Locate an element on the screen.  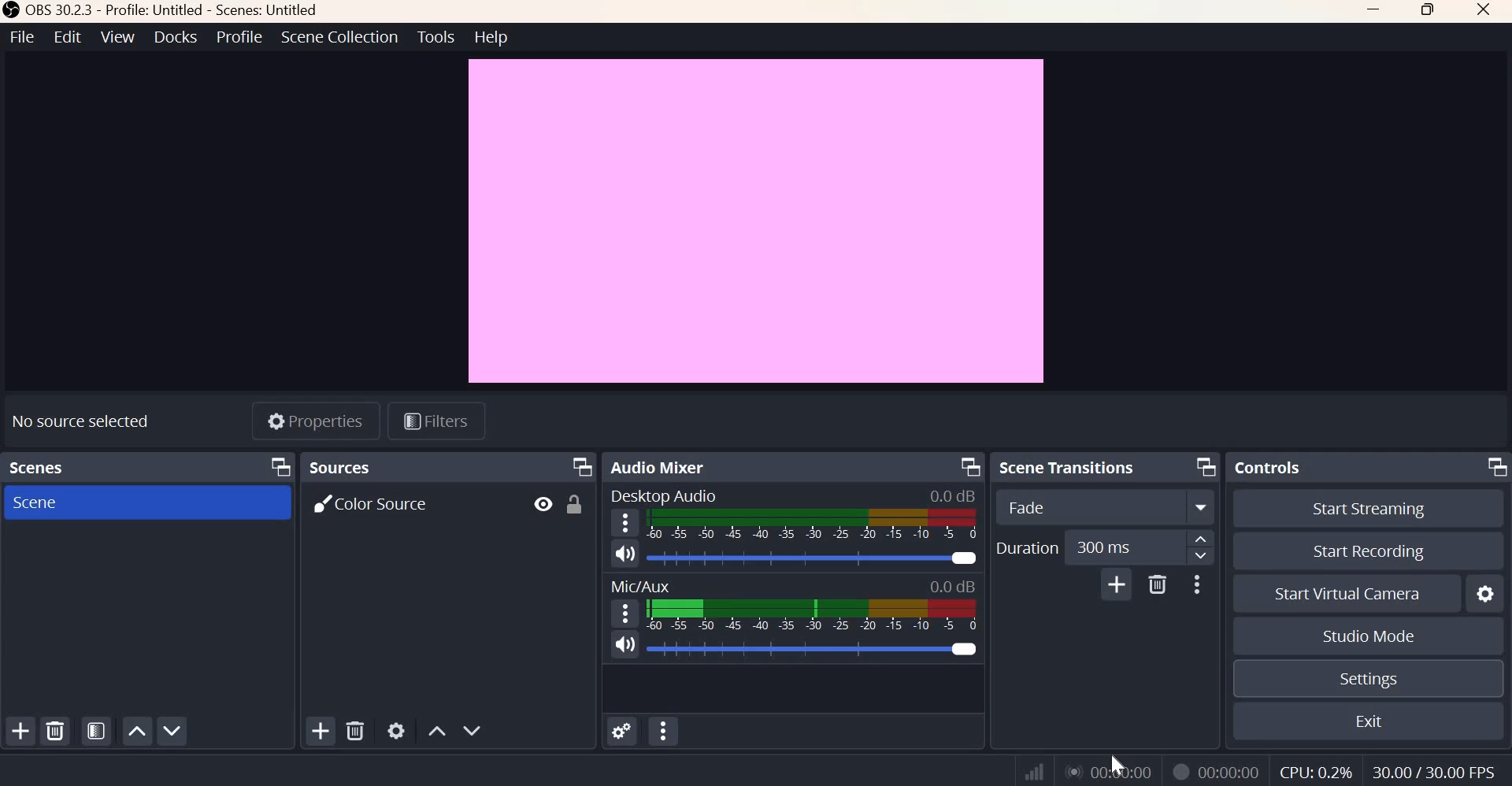
hamburger menu is located at coordinates (626, 613).